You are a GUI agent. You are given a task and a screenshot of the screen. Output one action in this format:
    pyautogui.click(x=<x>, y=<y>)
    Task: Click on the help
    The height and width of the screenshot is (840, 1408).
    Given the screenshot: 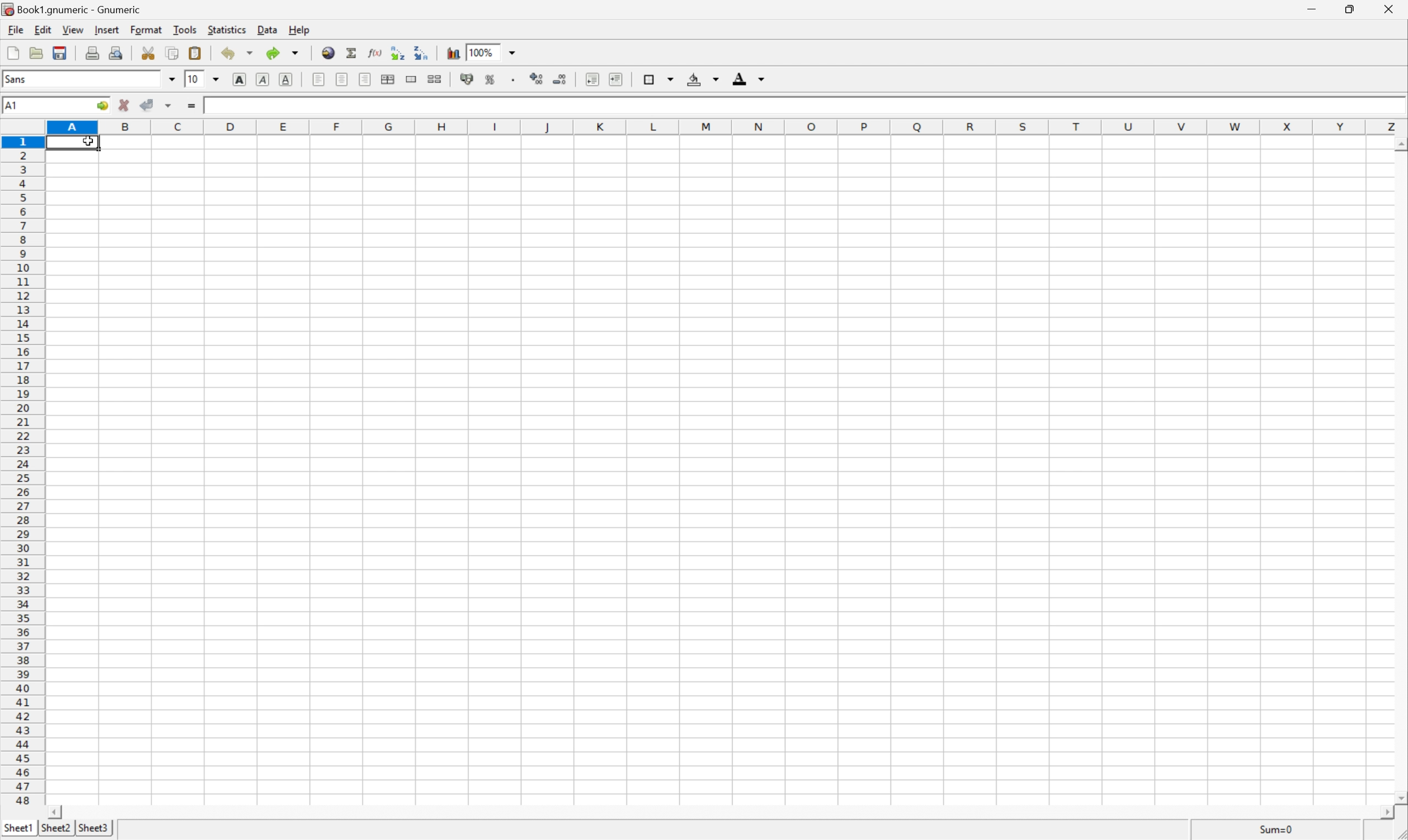 What is the action you would take?
    pyautogui.click(x=298, y=29)
    